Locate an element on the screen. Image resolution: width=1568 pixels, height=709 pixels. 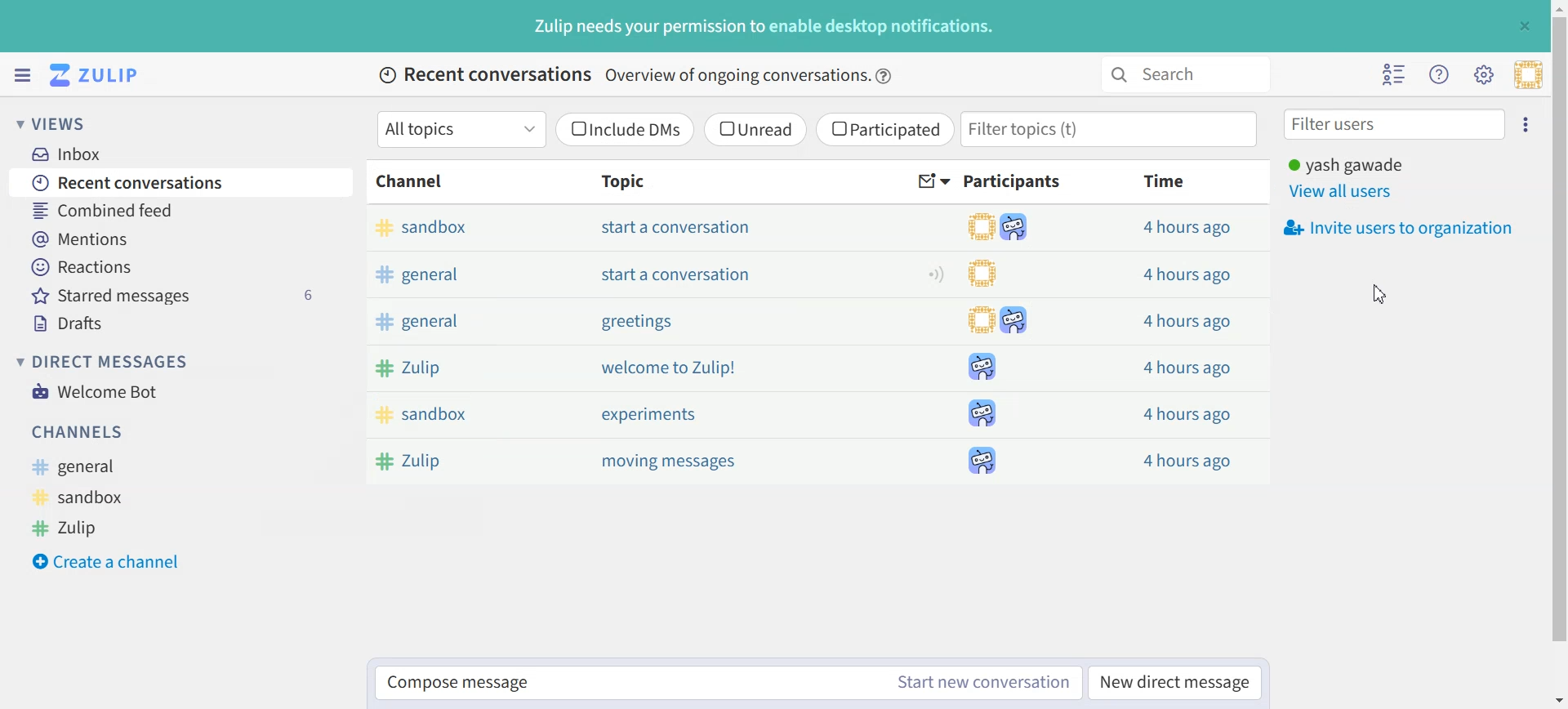
Start a conversation is located at coordinates (679, 227).